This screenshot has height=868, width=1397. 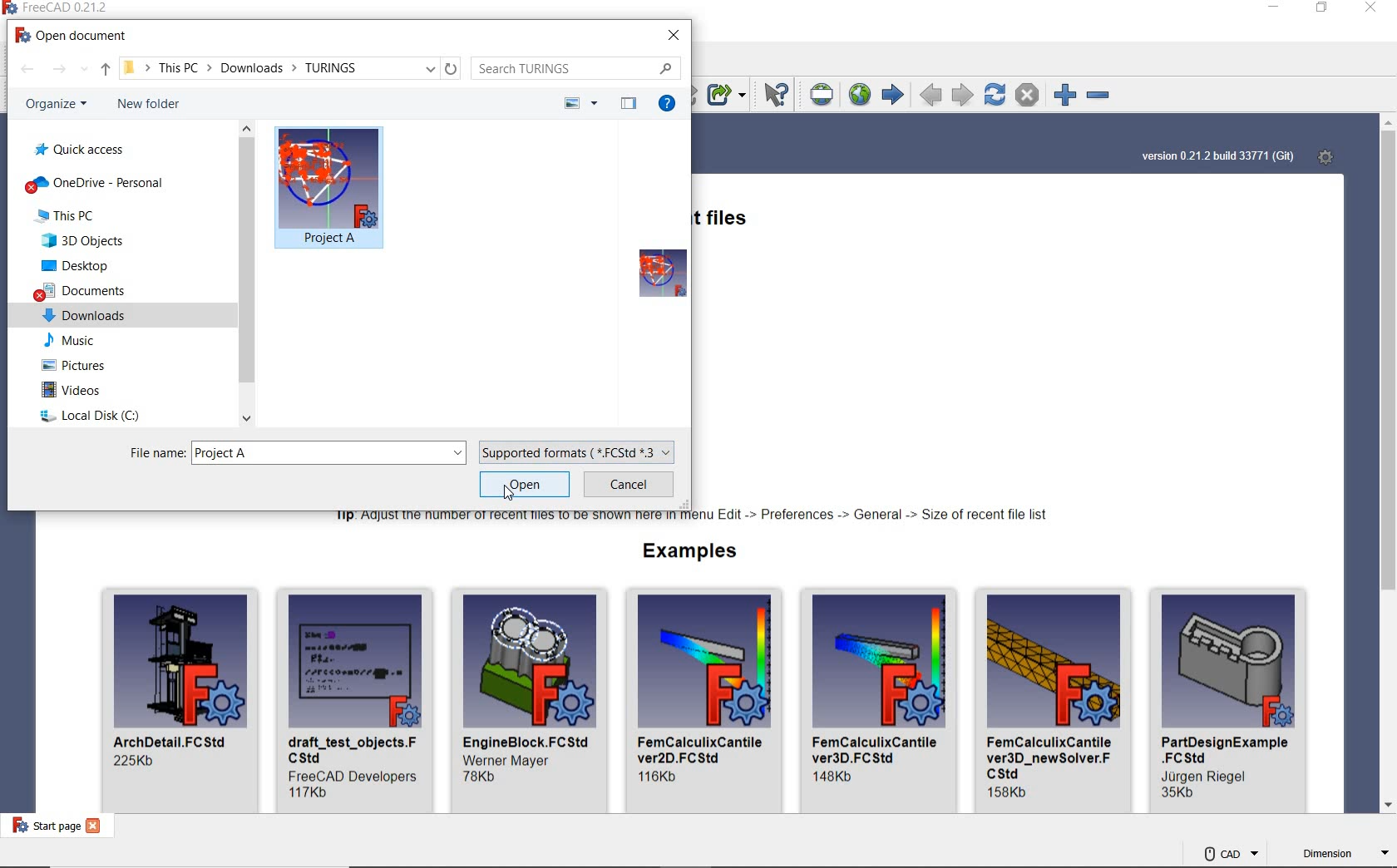 What do you see at coordinates (353, 748) in the screenshot?
I see `name` at bounding box center [353, 748].